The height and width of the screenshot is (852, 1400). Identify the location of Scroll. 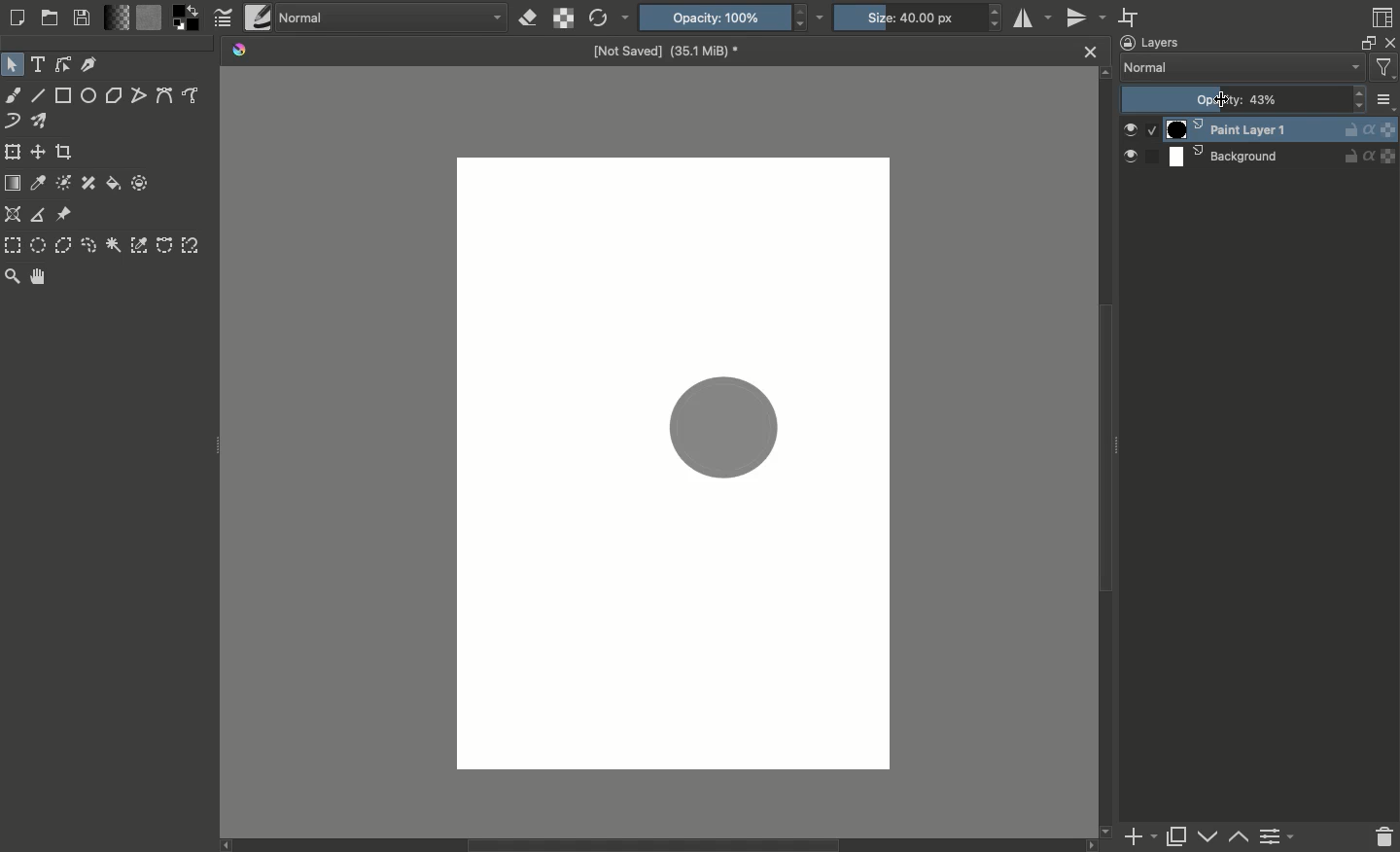
(664, 845).